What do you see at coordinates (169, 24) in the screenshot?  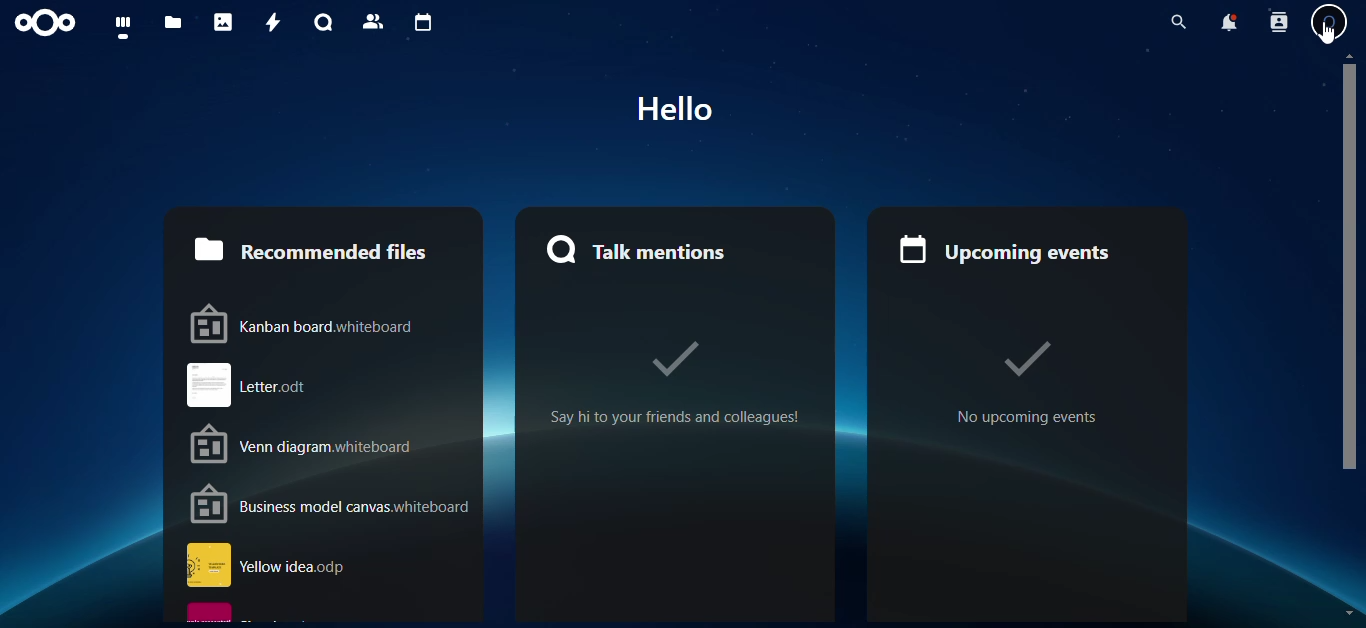 I see `files` at bounding box center [169, 24].